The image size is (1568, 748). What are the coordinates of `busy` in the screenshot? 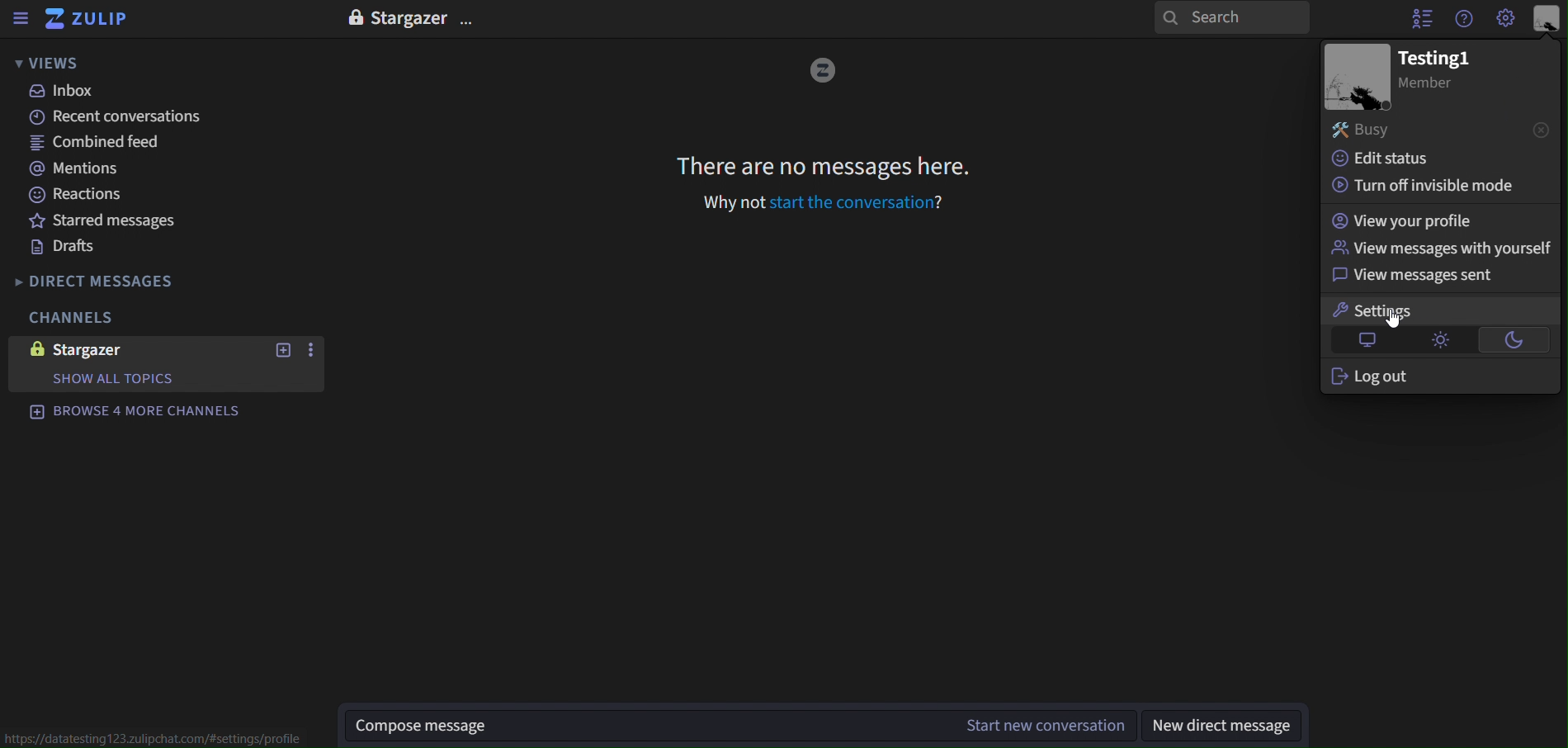 It's located at (1441, 130).